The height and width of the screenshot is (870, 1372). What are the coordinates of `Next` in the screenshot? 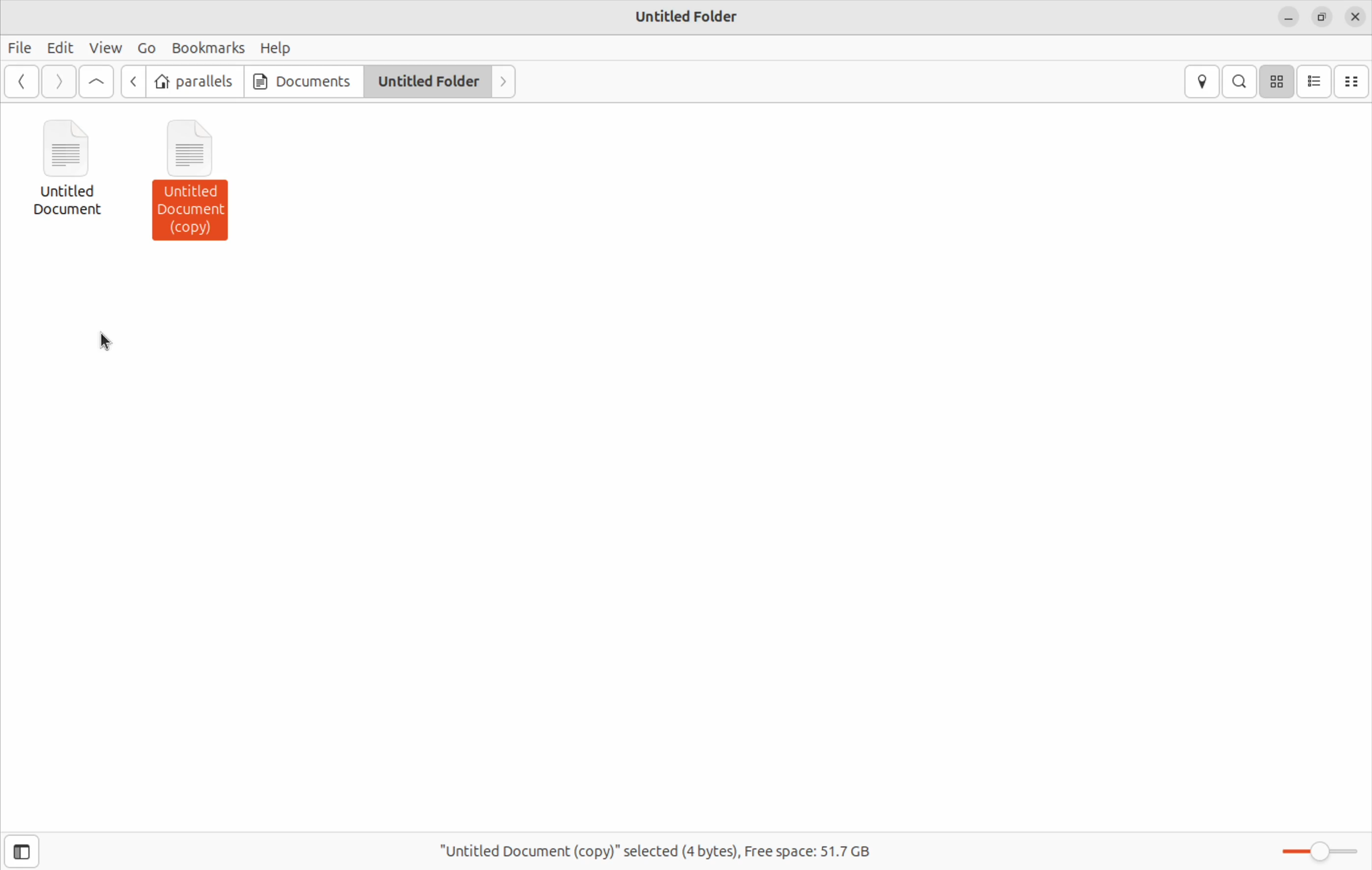 It's located at (502, 81).